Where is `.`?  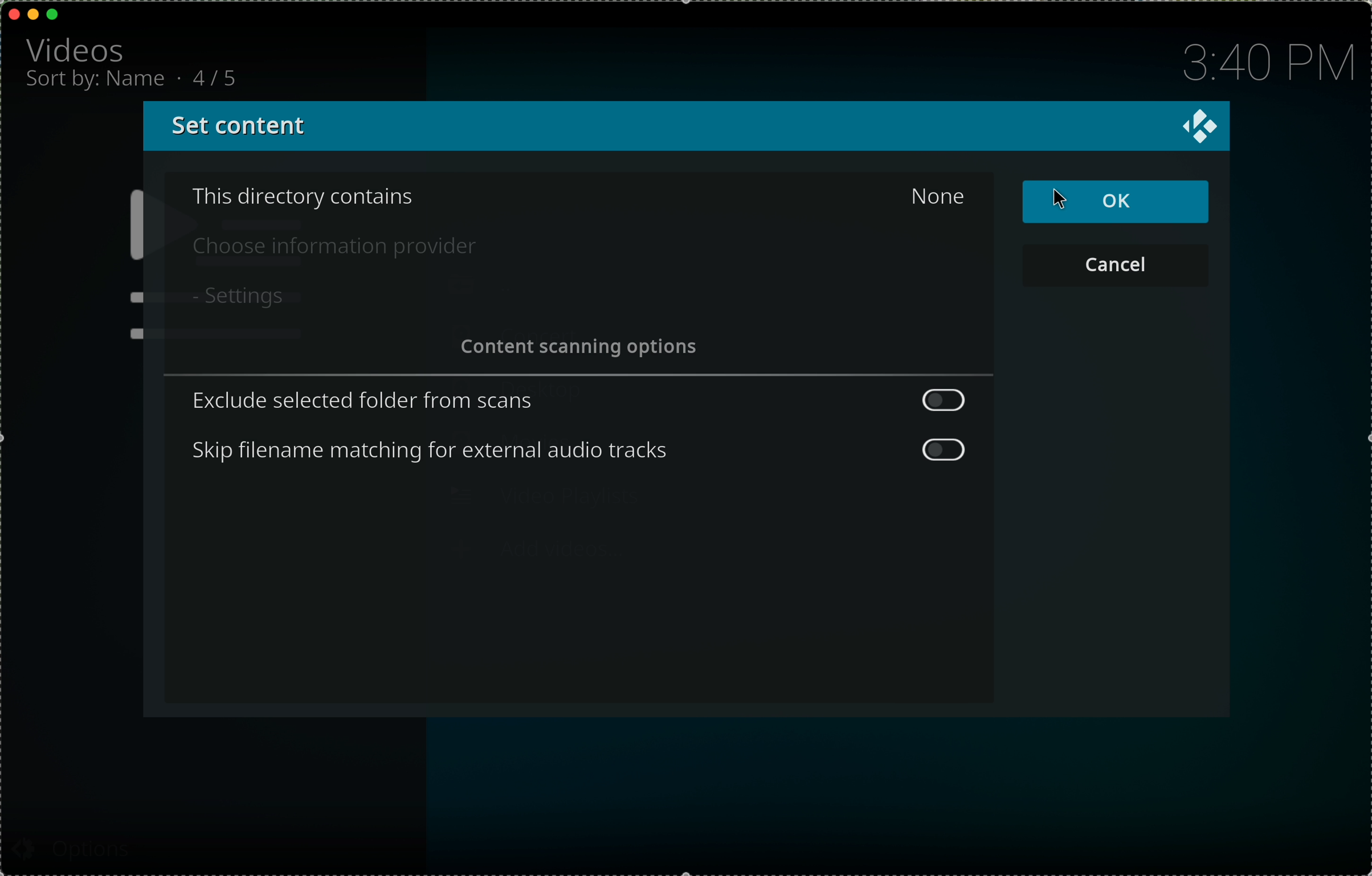
. is located at coordinates (182, 77).